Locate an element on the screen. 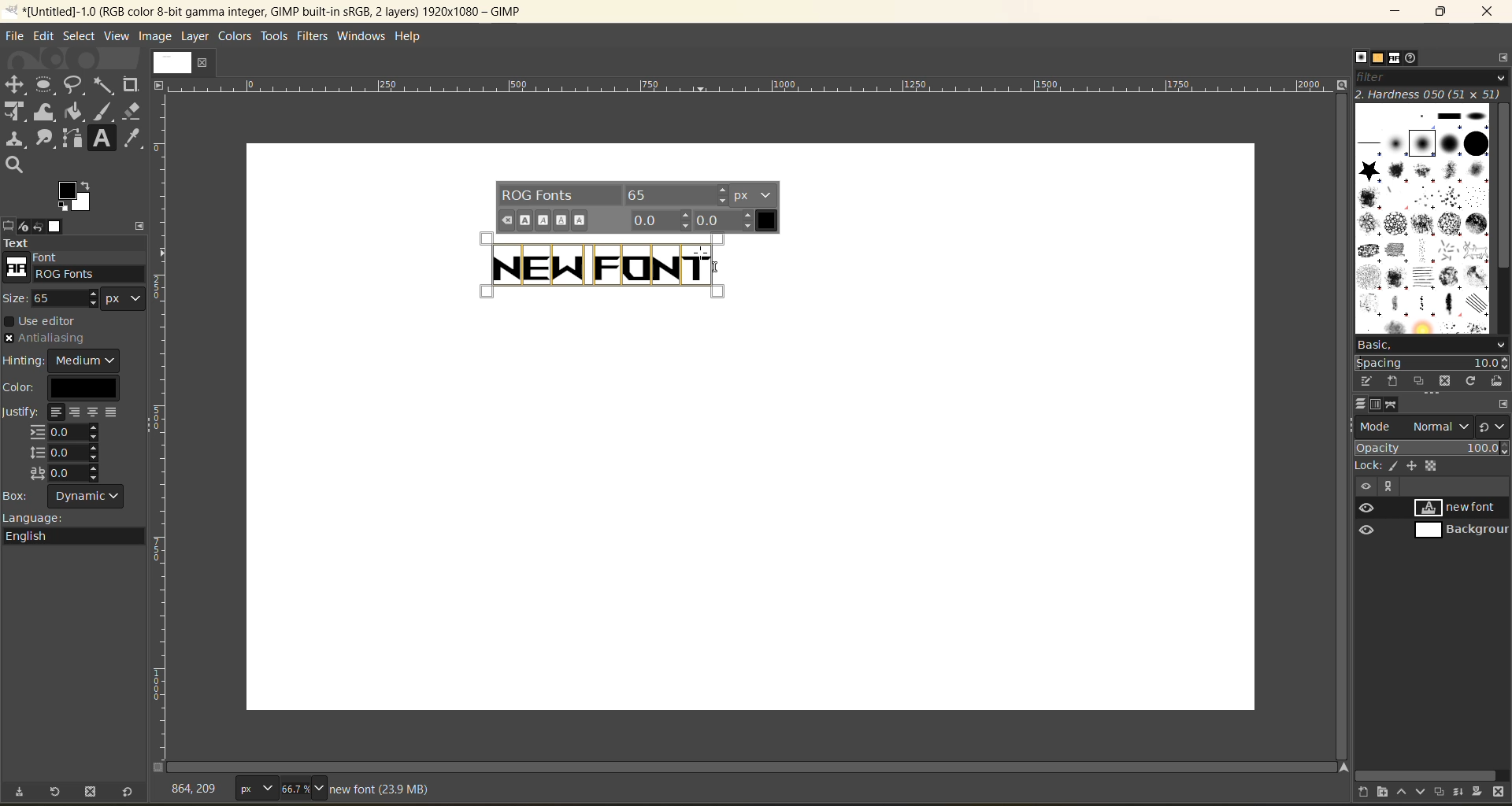 The image size is (1512, 806). coordinates is located at coordinates (198, 786).